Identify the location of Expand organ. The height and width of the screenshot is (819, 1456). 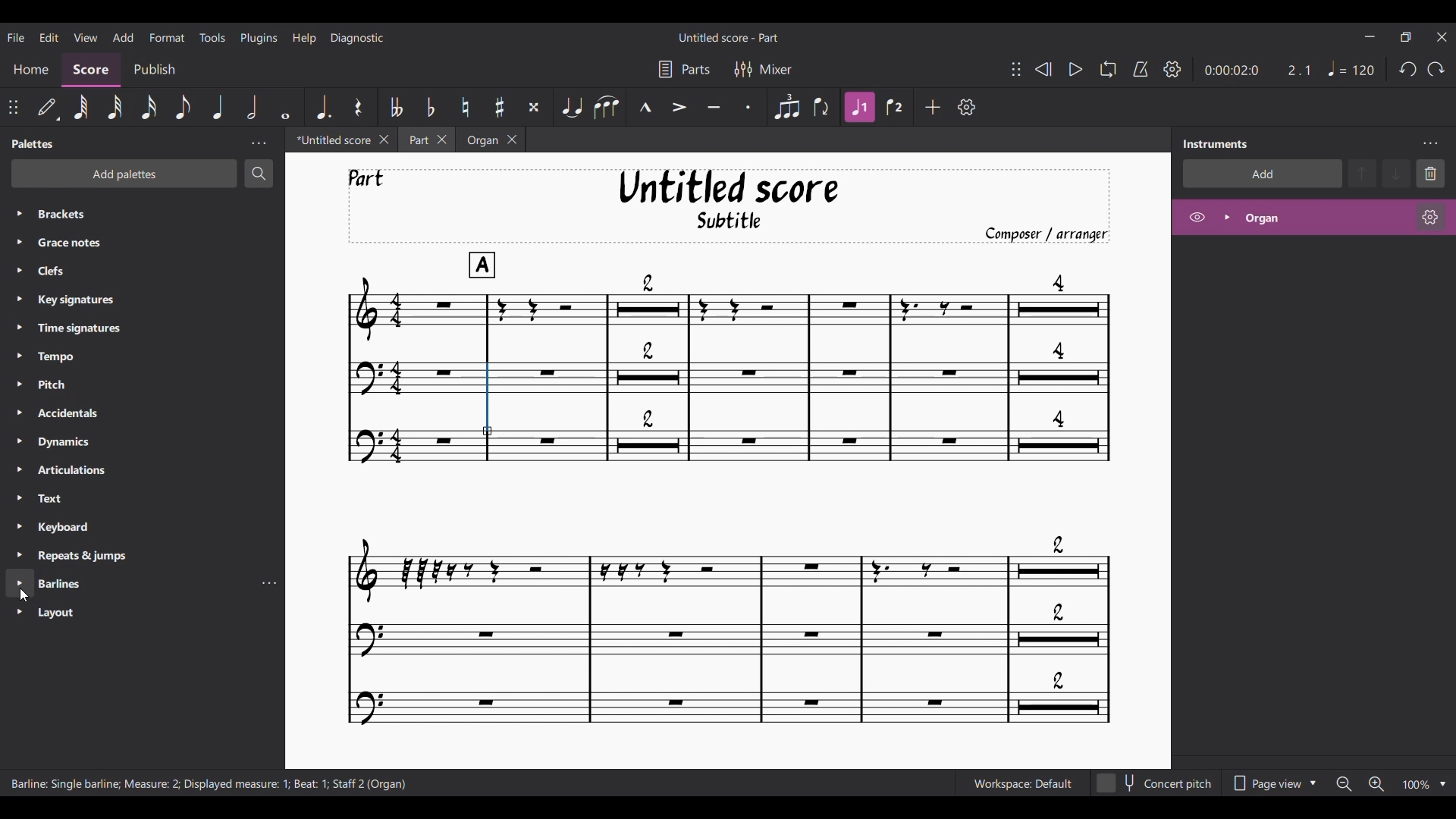
(1227, 217).